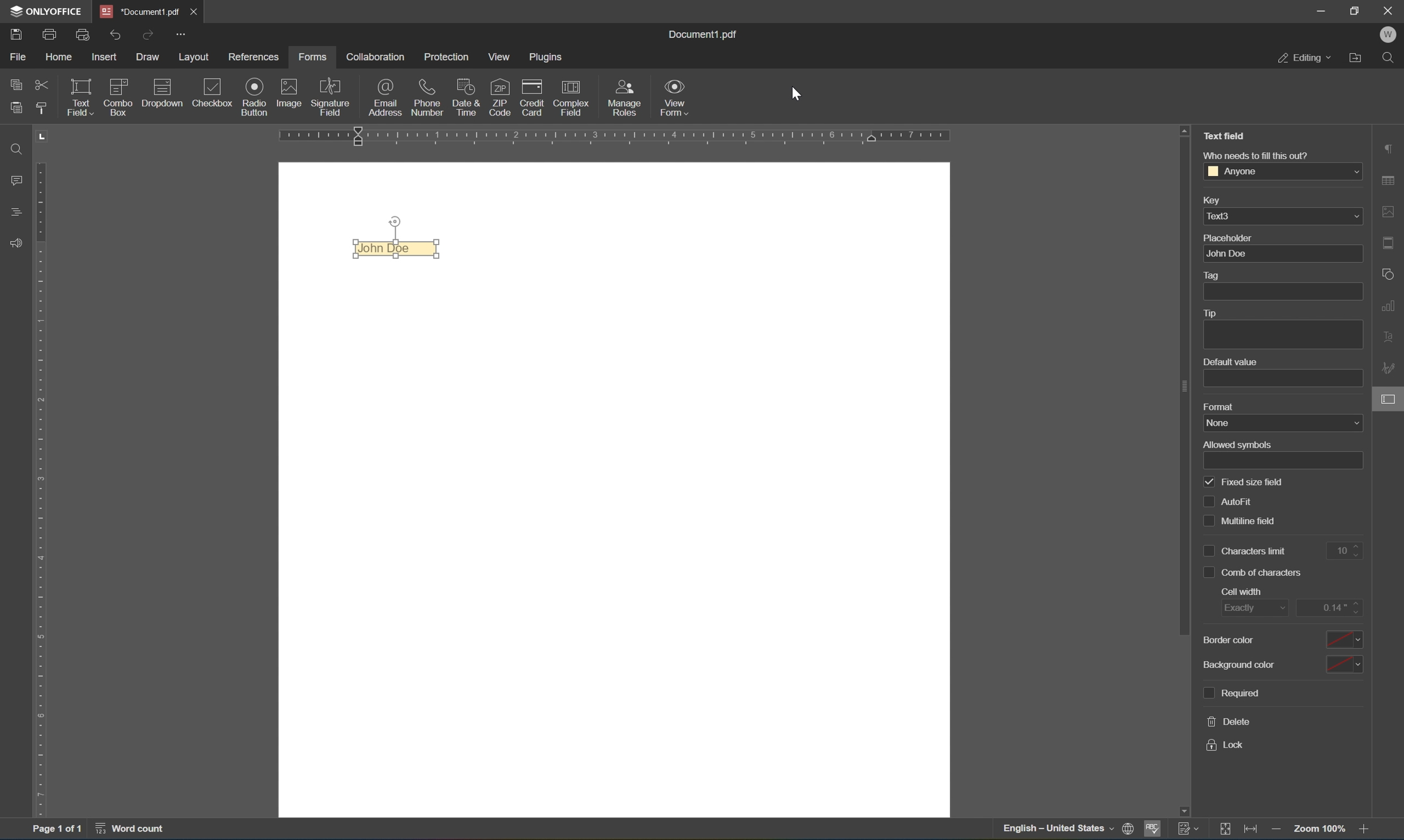 The image size is (1404, 840). Describe the element at coordinates (167, 87) in the screenshot. I see `icon` at that location.